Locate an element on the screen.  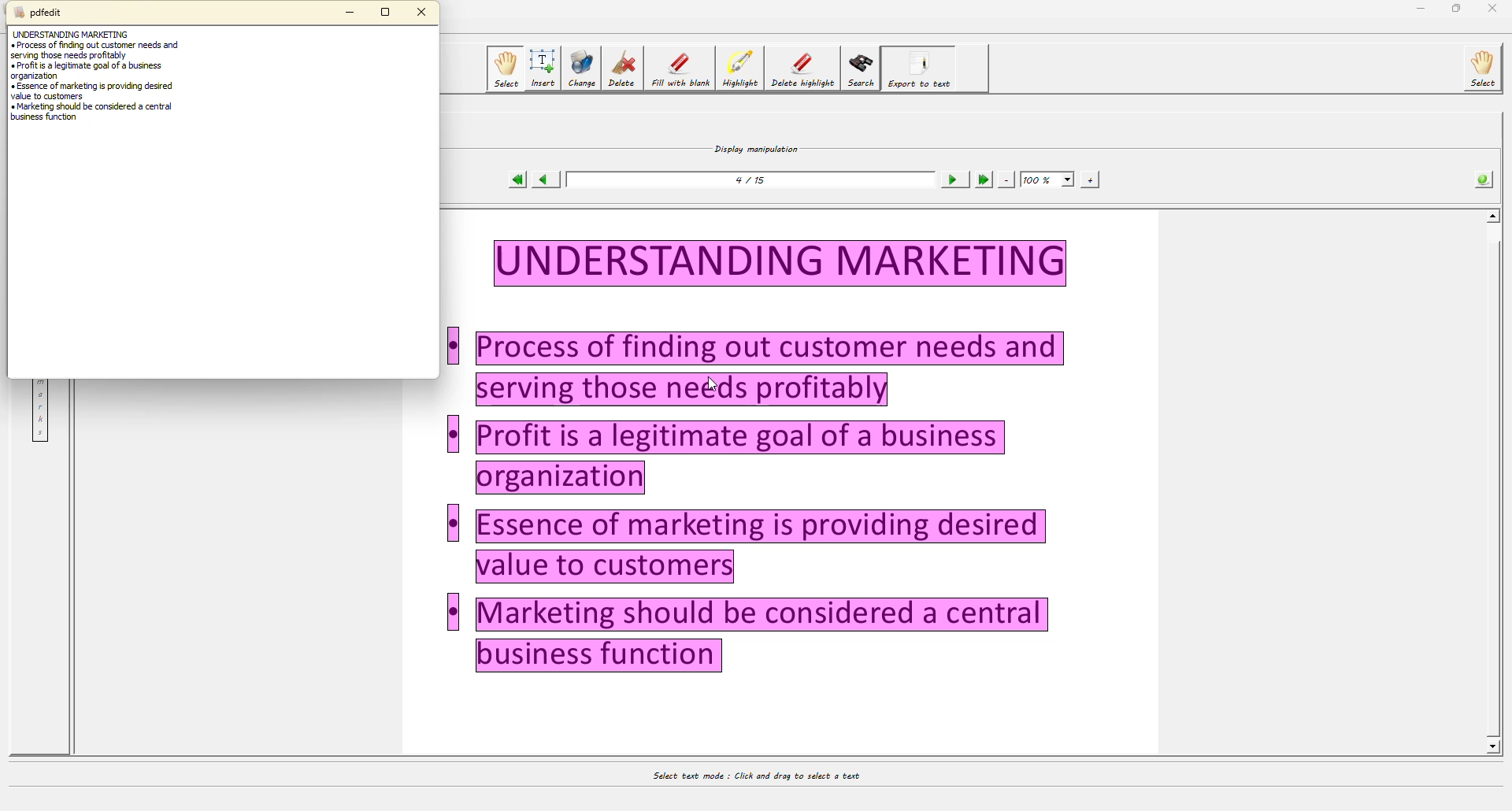
 is located at coordinates (742, 457).